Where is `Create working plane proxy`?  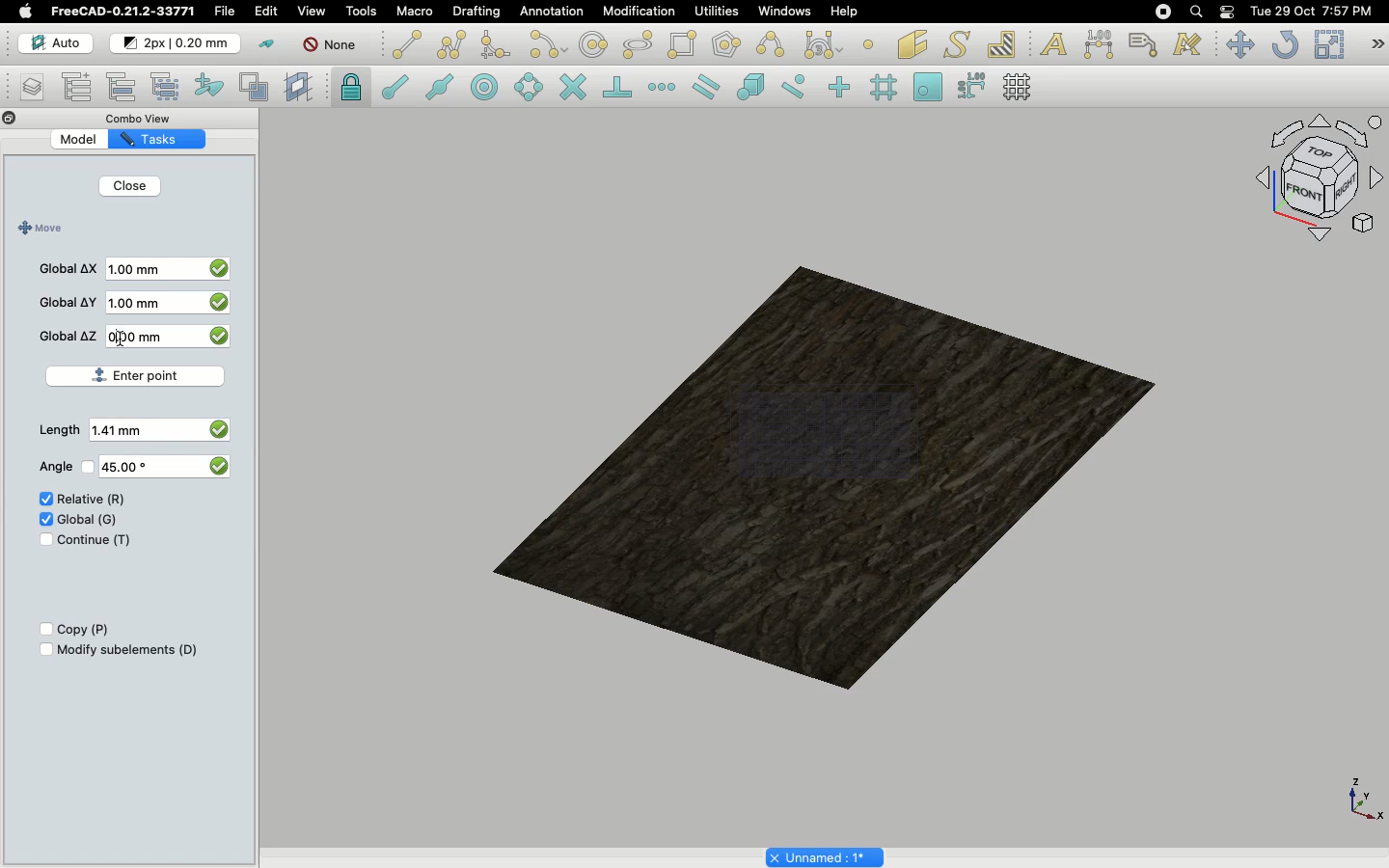
Create working plane proxy is located at coordinates (301, 88).